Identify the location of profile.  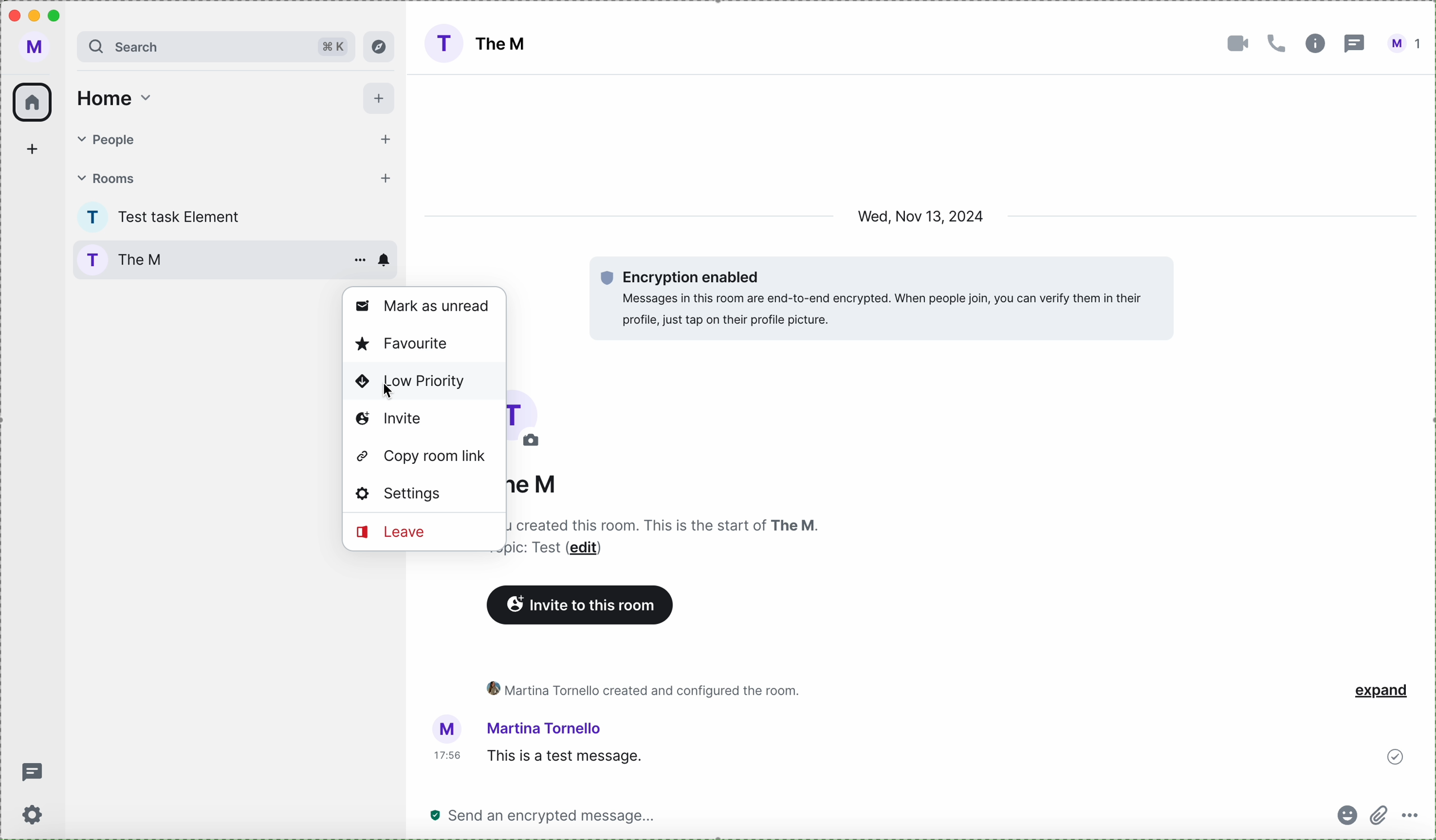
(439, 43).